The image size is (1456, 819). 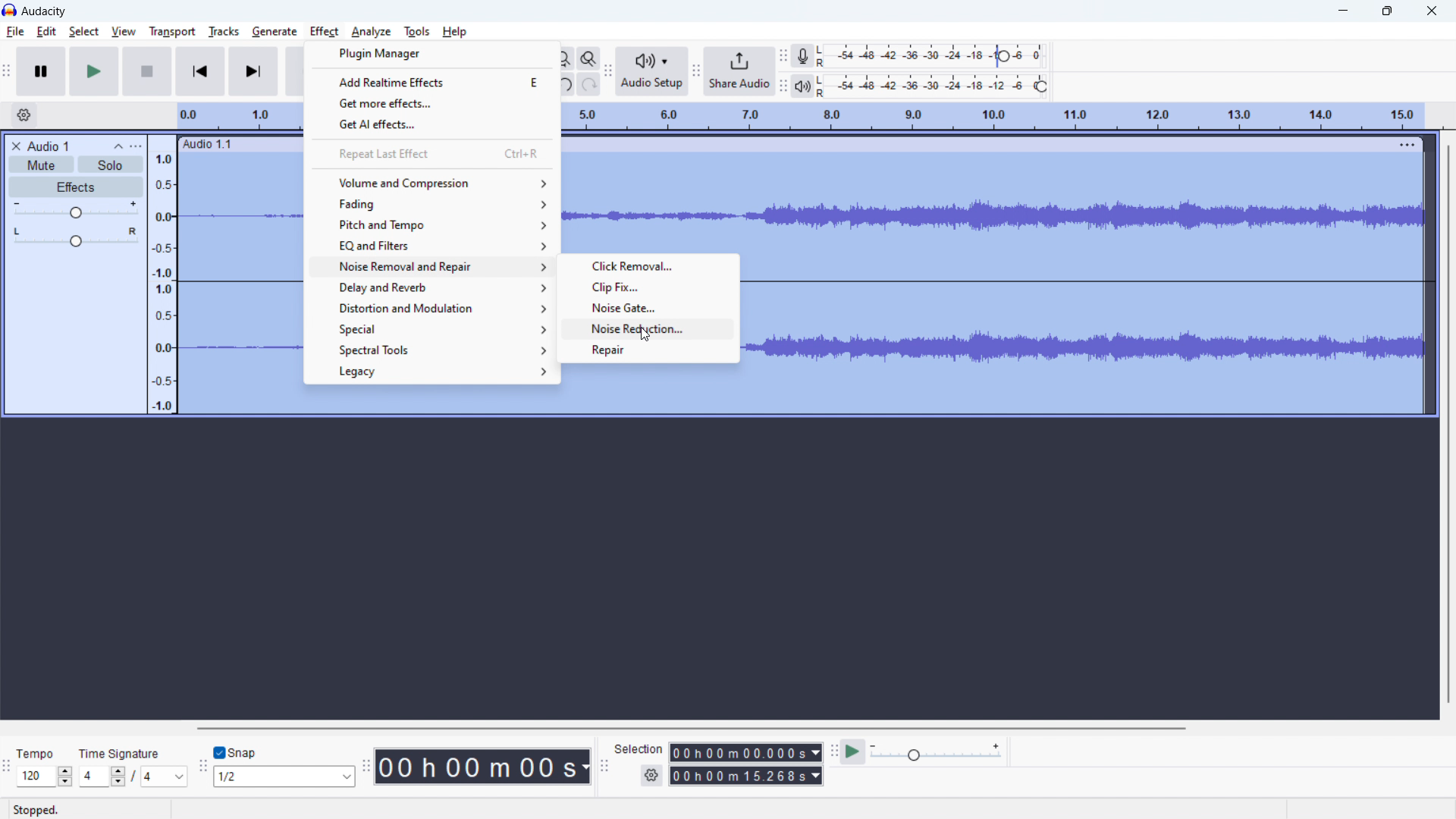 What do you see at coordinates (283, 777) in the screenshot?
I see `select snapping` at bounding box center [283, 777].